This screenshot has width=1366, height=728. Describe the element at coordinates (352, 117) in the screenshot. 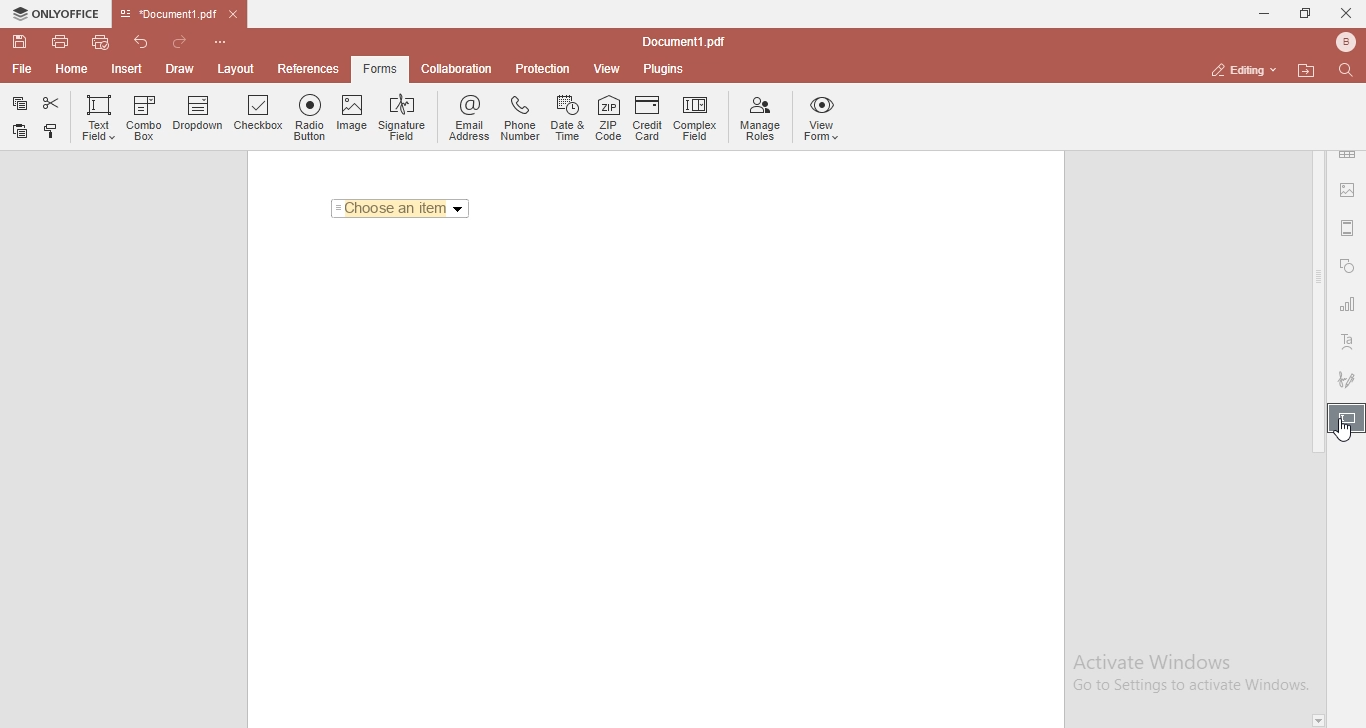

I see `image` at that location.